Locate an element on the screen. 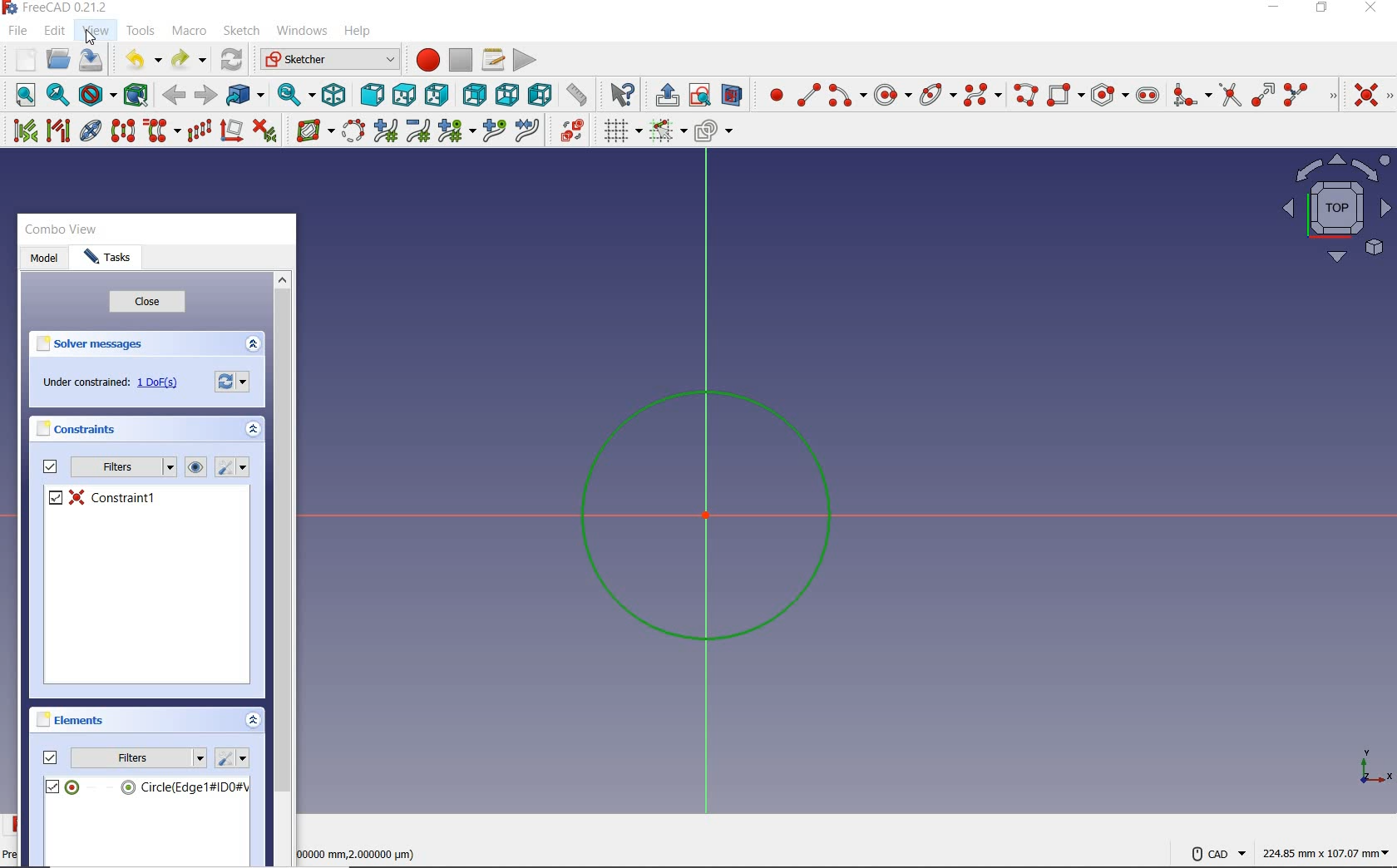 This screenshot has height=868, width=1397. solver messages is located at coordinates (99, 343).